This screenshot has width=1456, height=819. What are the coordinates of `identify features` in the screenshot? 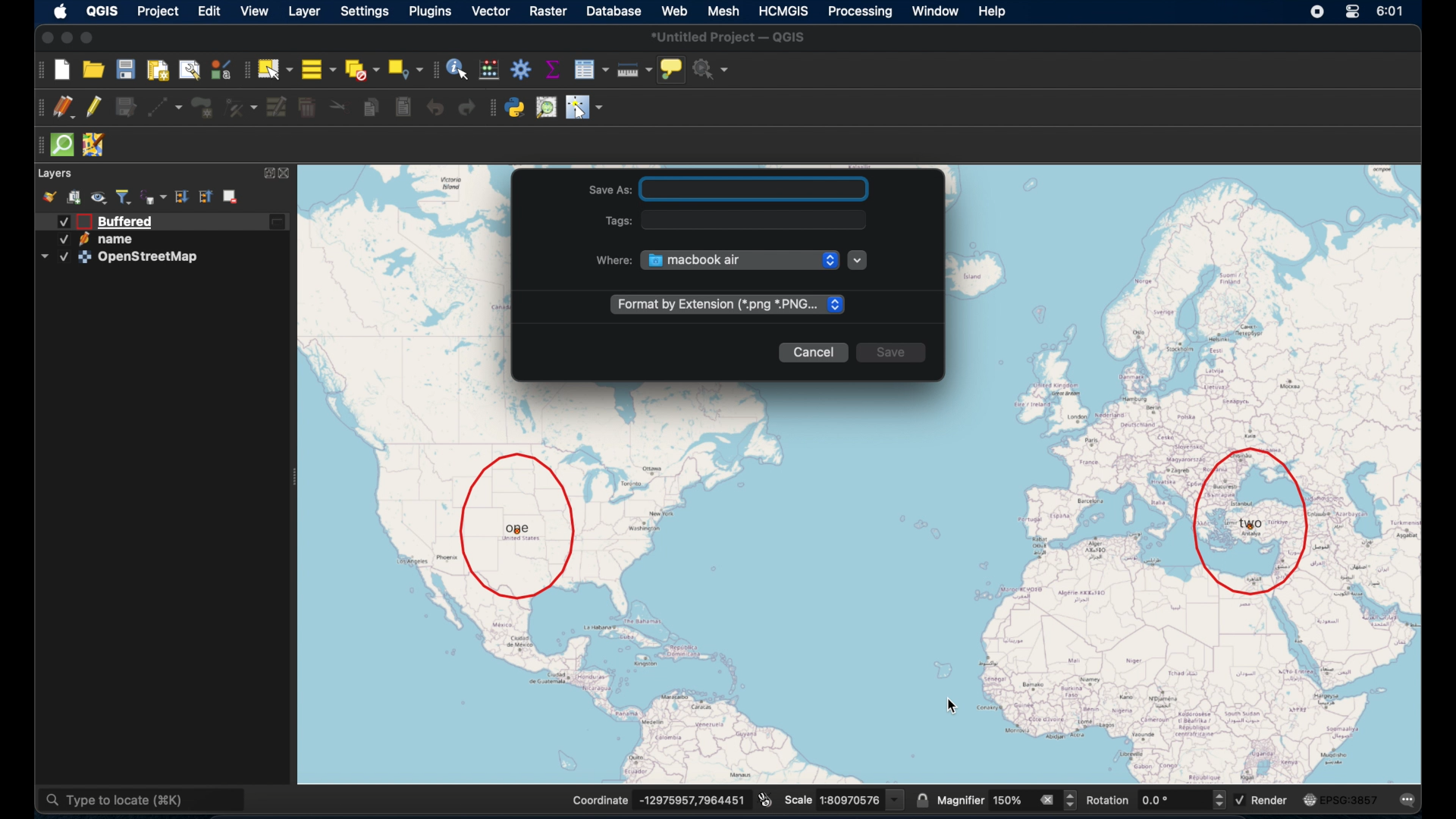 It's located at (457, 69).